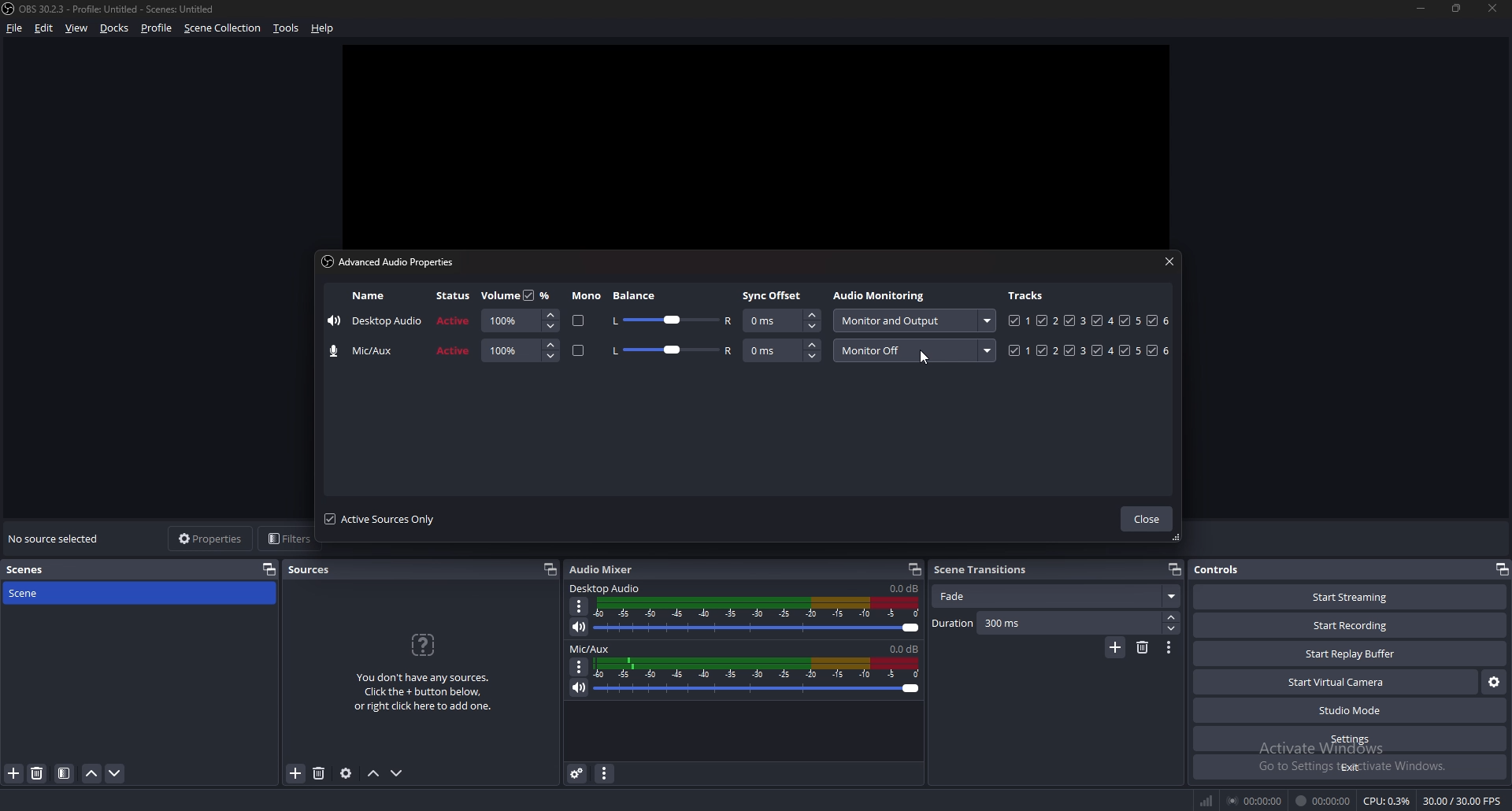  Describe the element at coordinates (1349, 739) in the screenshot. I see `settings` at that location.